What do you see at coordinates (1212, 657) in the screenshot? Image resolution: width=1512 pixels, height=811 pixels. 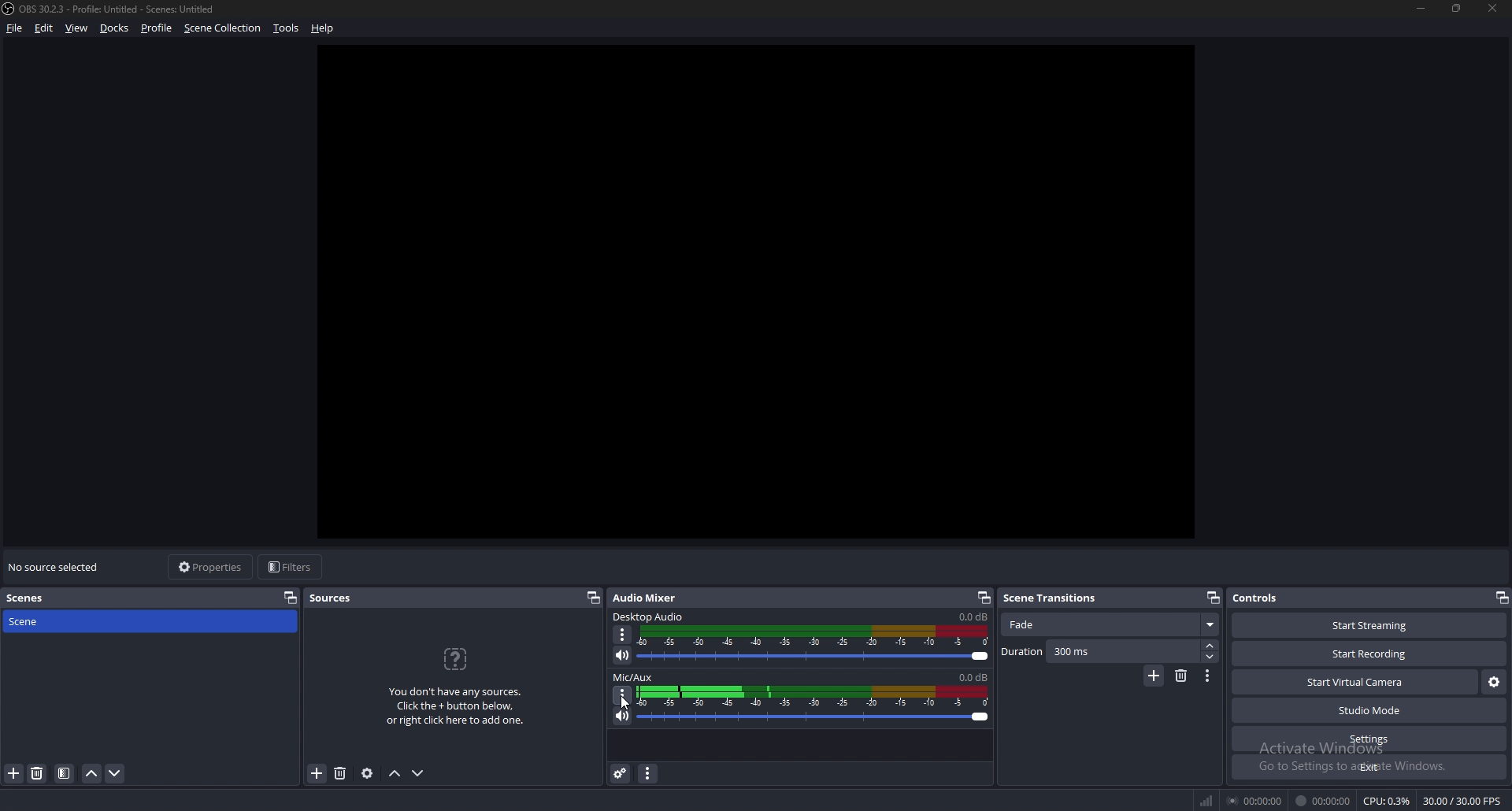 I see `decrease duration` at bounding box center [1212, 657].